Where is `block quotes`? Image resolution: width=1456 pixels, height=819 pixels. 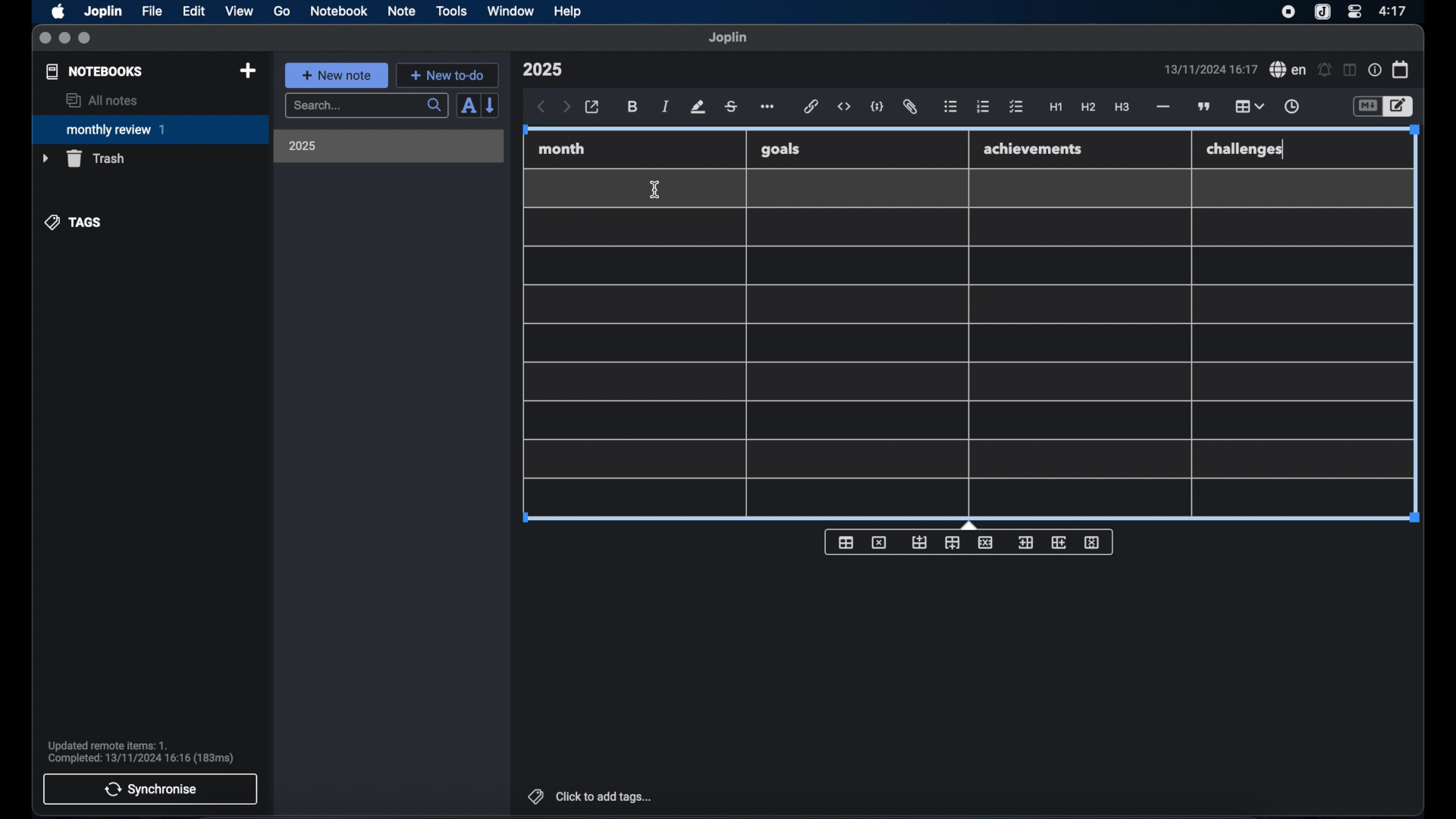 block quotes is located at coordinates (1205, 107).